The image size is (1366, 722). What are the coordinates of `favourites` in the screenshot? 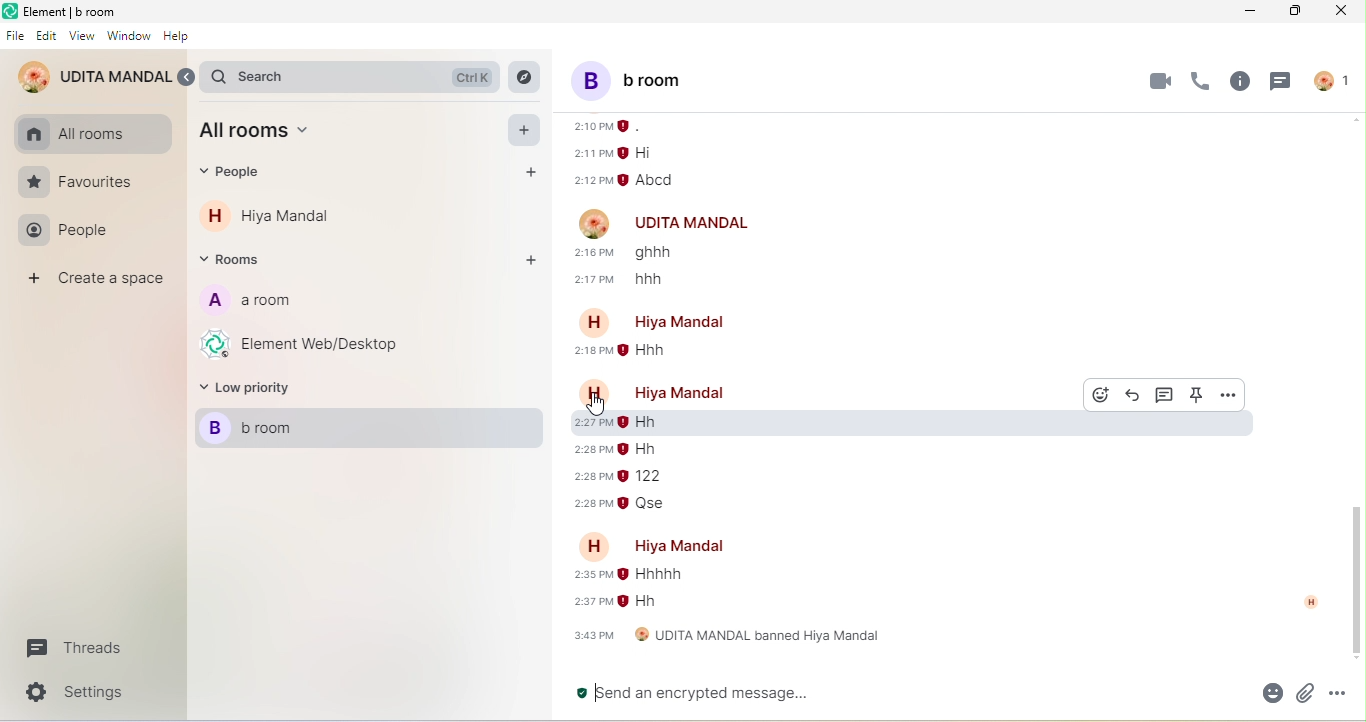 It's located at (78, 183).